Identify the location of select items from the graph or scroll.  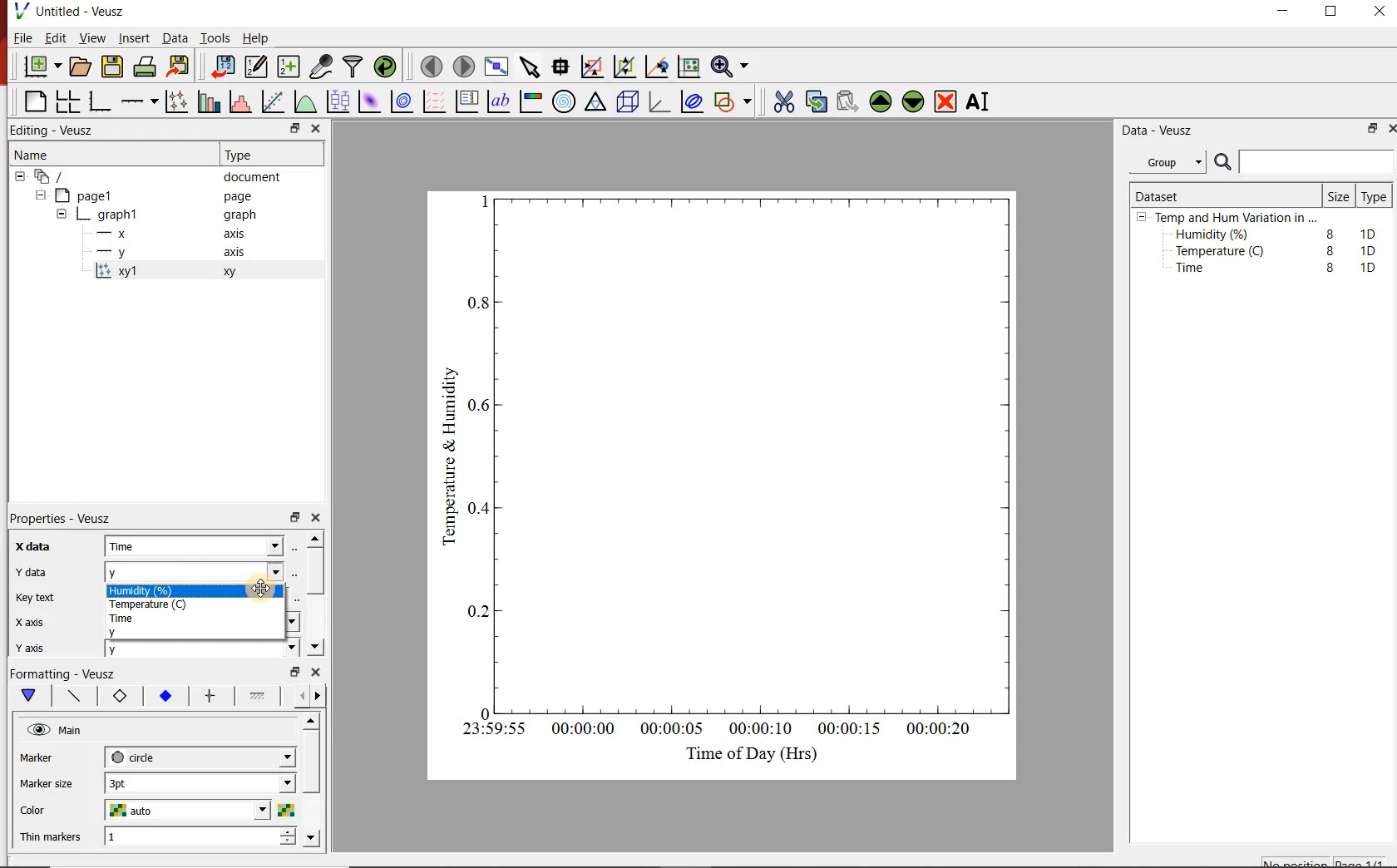
(531, 69).